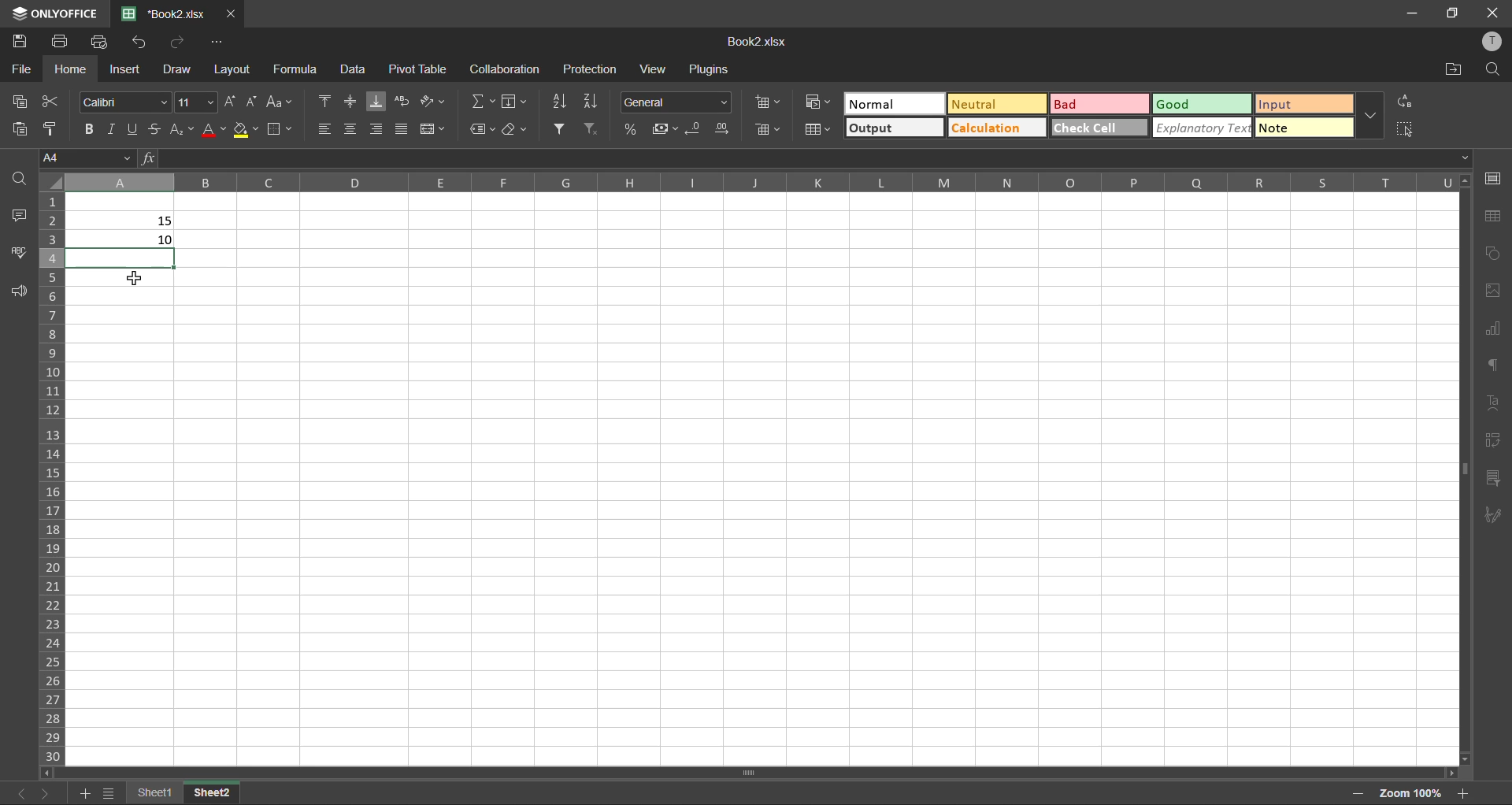  Describe the element at coordinates (213, 792) in the screenshot. I see `sheet 2` at that location.